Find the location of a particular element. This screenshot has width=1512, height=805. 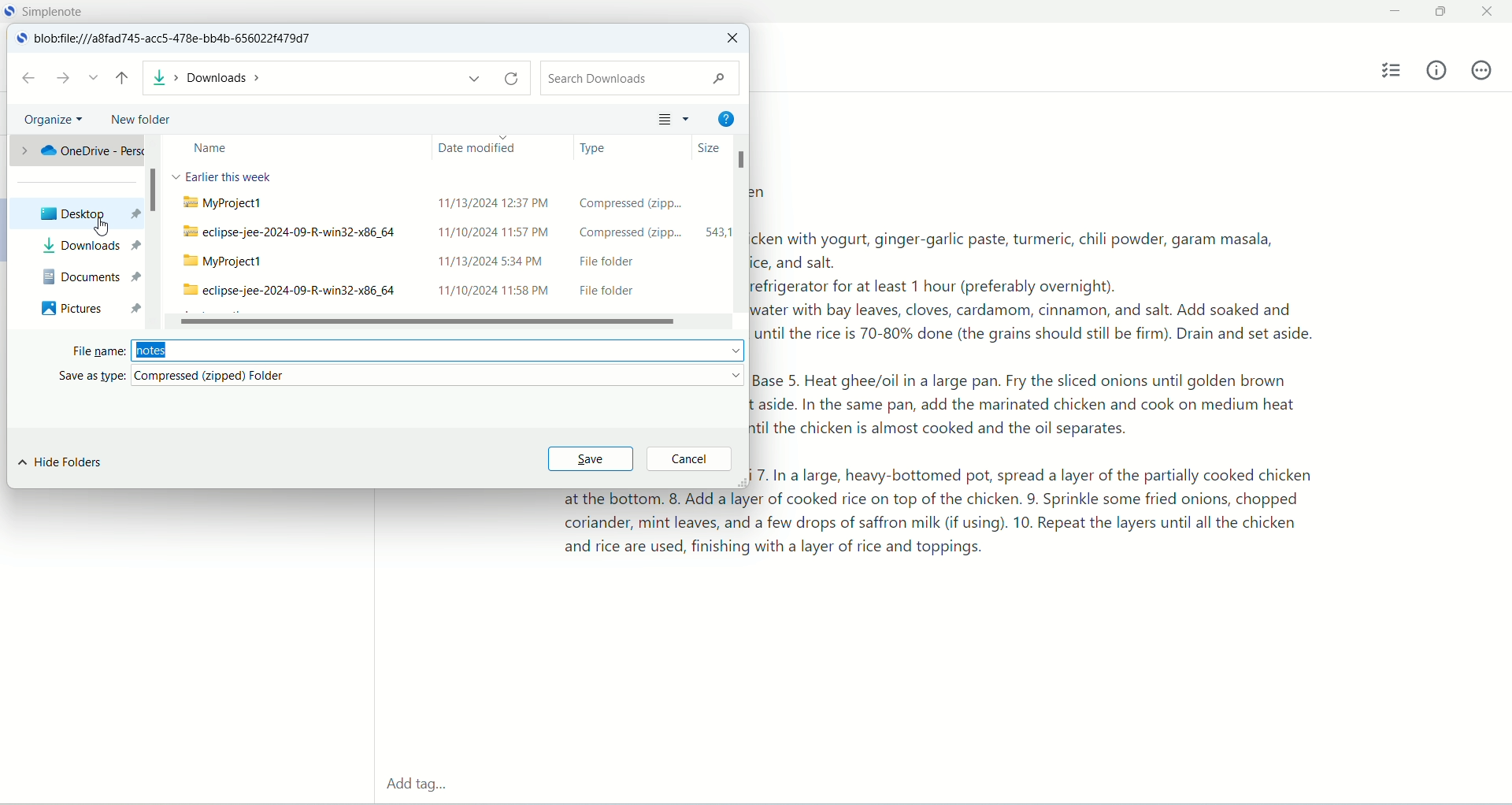

pictures is located at coordinates (87, 307).